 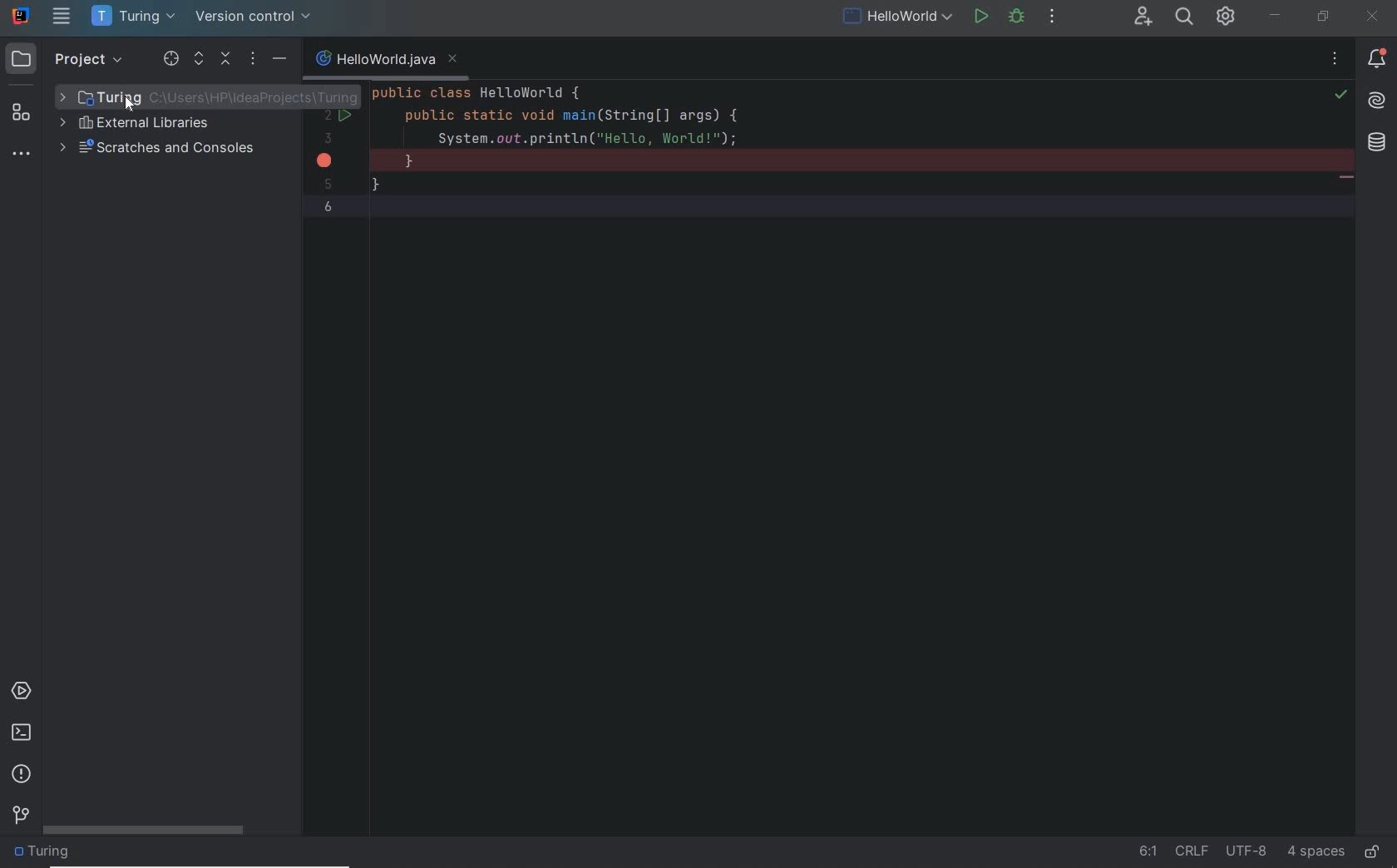 I want to click on project name, so click(x=46, y=854).